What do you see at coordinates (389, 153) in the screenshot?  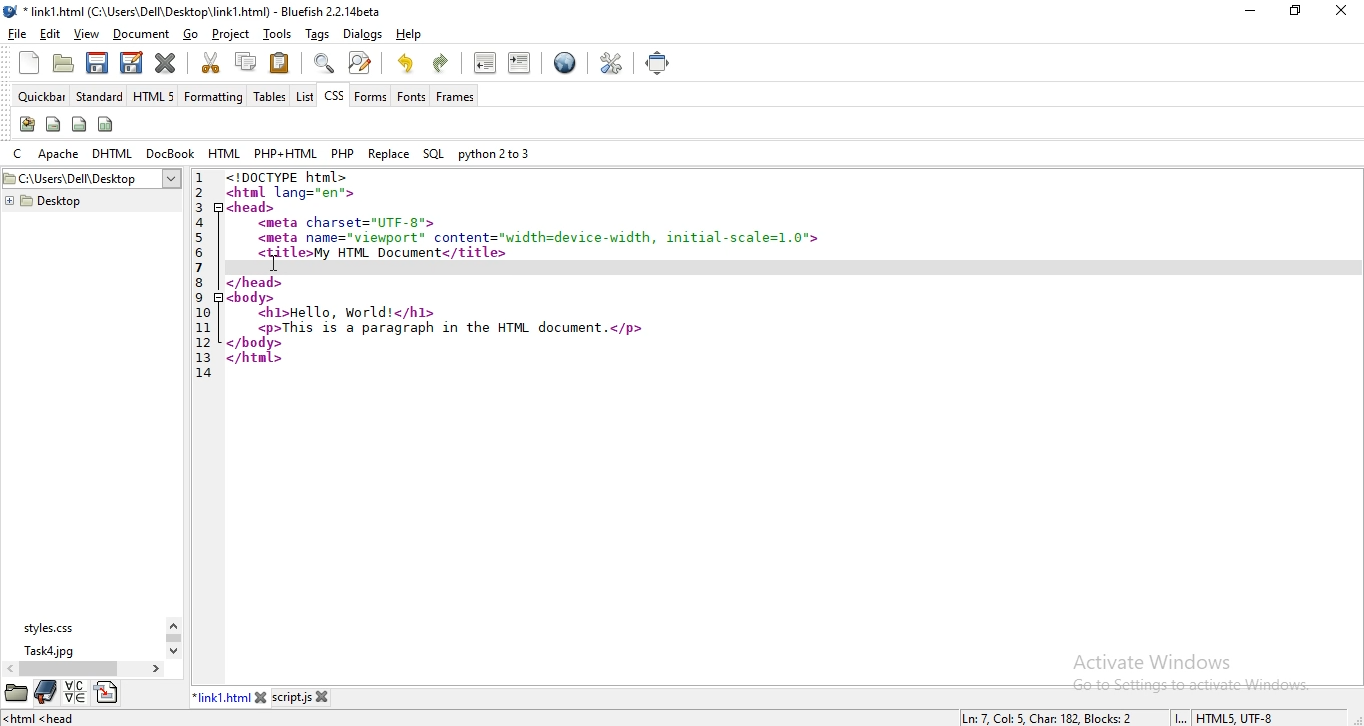 I see `replace` at bounding box center [389, 153].